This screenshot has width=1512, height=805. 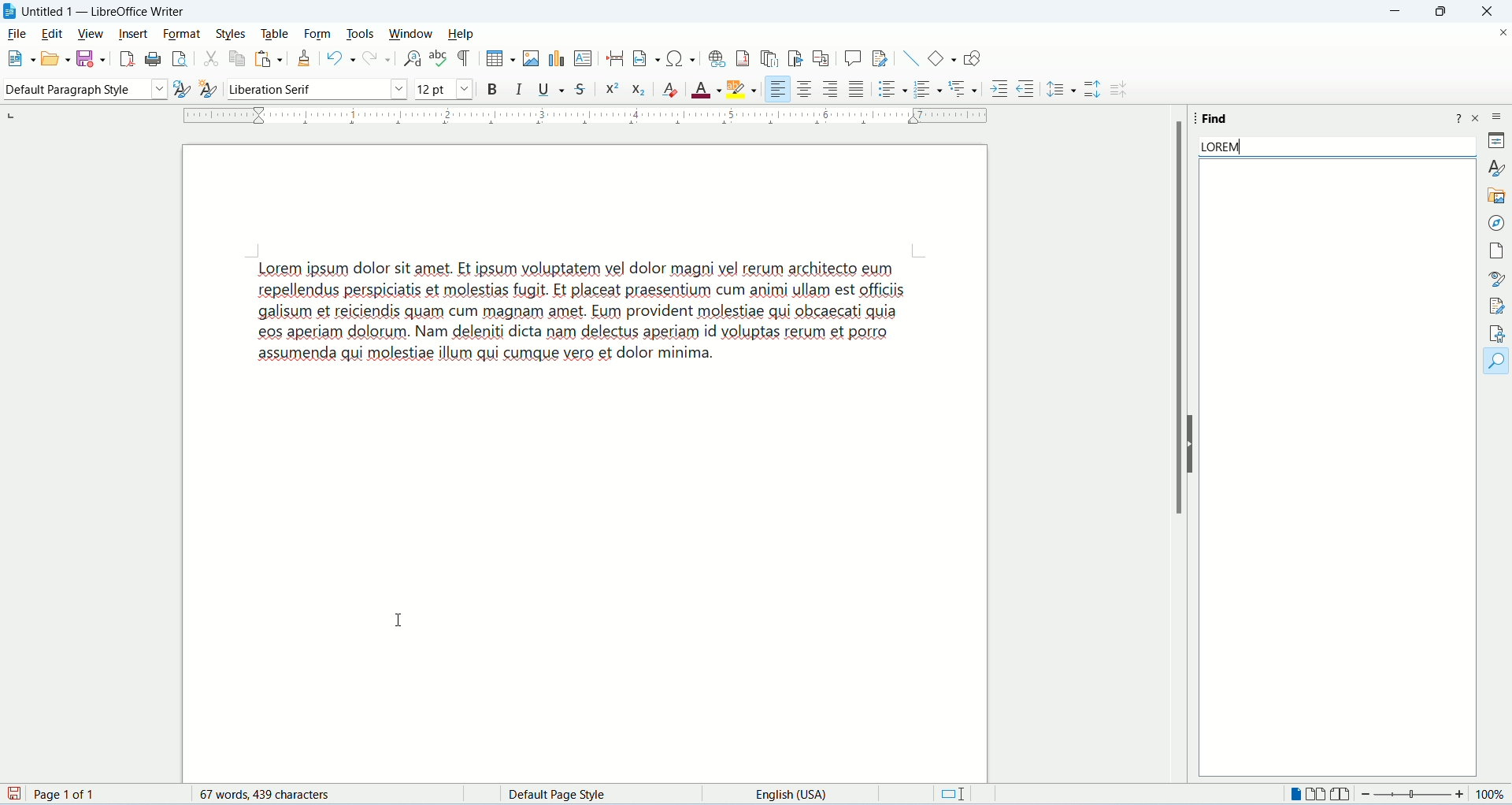 I want to click on strikethrough, so click(x=581, y=88).